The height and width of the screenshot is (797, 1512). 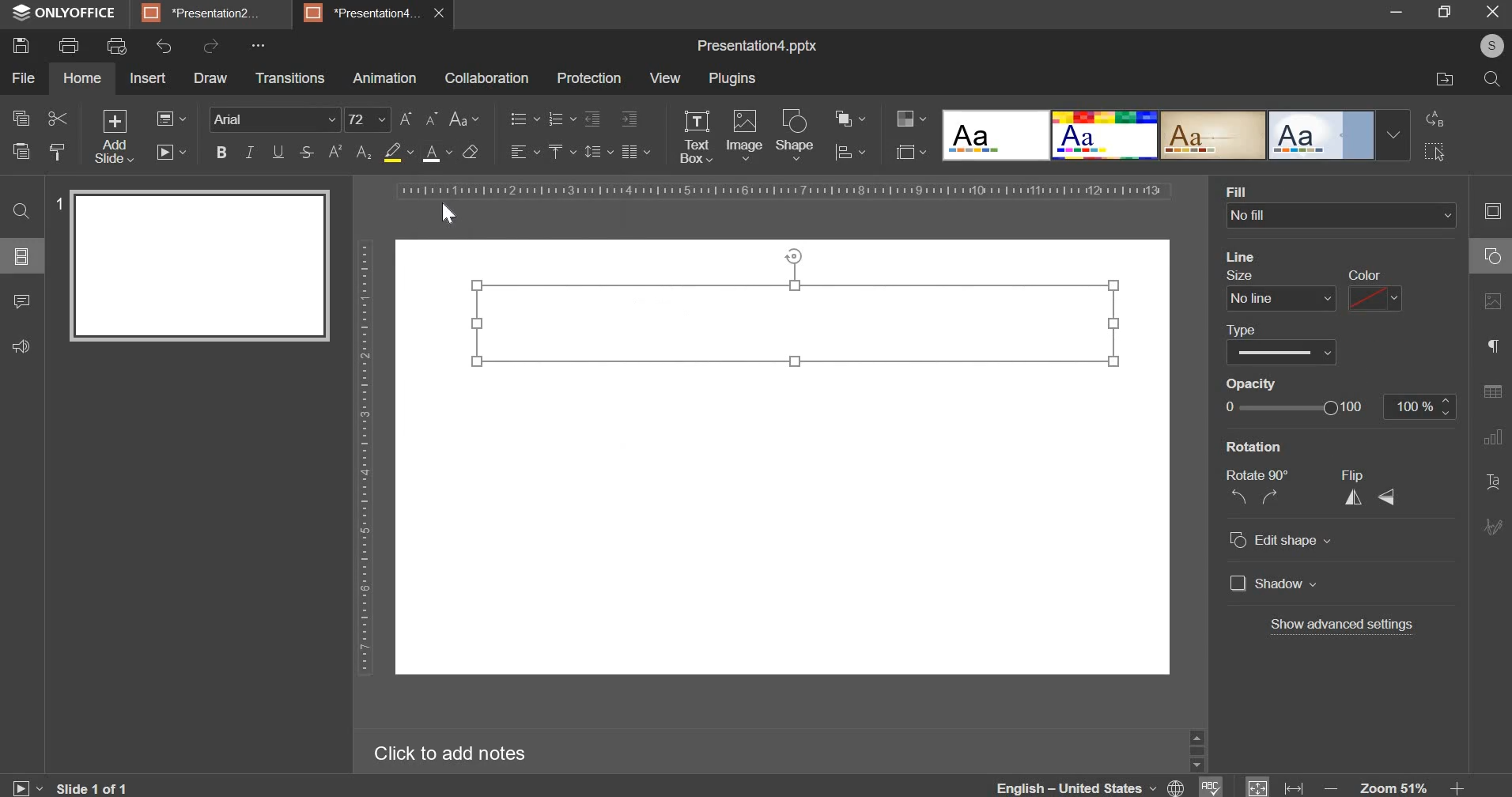 What do you see at coordinates (1437, 152) in the screenshot?
I see `select all` at bounding box center [1437, 152].